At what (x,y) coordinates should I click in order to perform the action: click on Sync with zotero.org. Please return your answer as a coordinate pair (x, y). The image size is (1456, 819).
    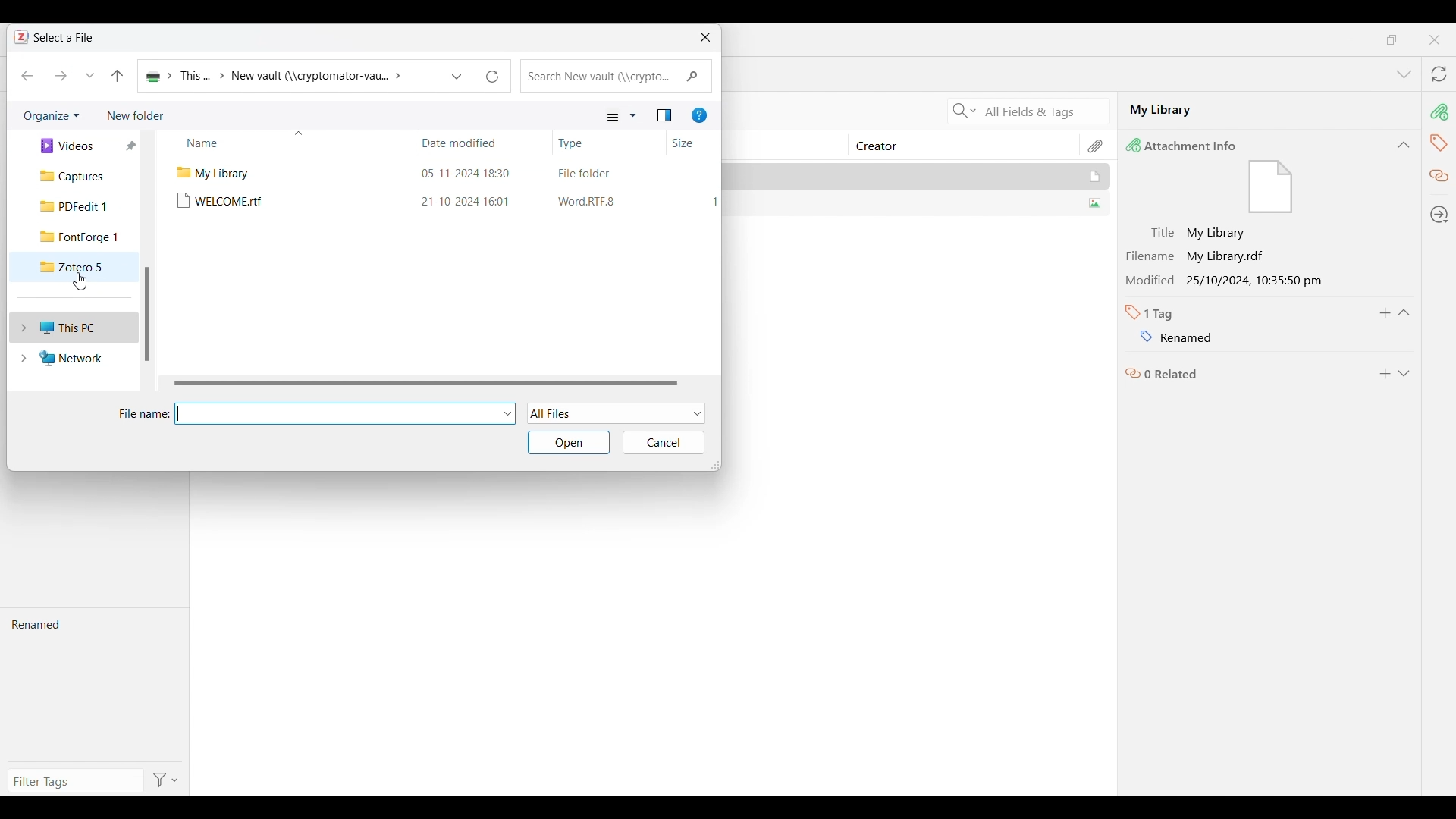
    Looking at the image, I should click on (1439, 74).